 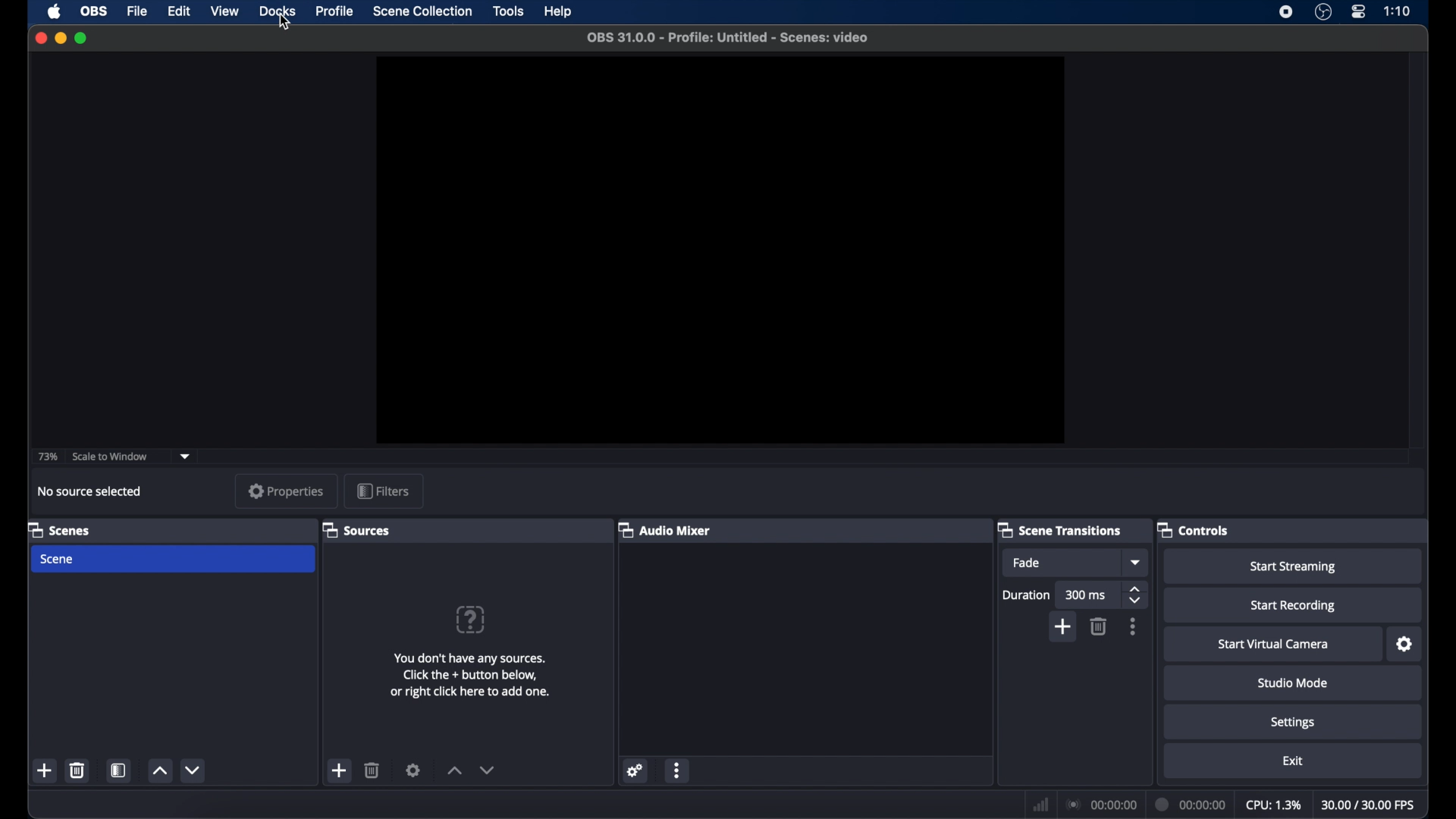 I want to click on fade, so click(x=1028, y=563).